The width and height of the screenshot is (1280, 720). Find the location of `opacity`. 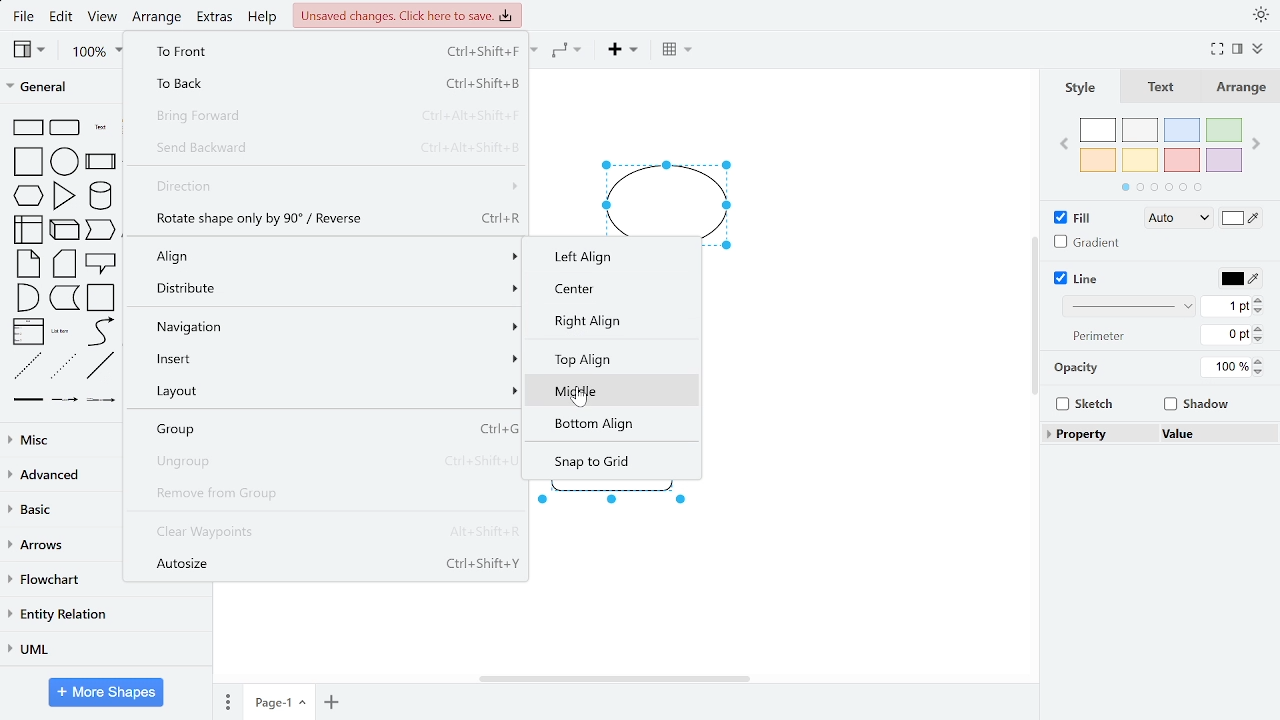

opacity is located at coordinates (1078, 368).